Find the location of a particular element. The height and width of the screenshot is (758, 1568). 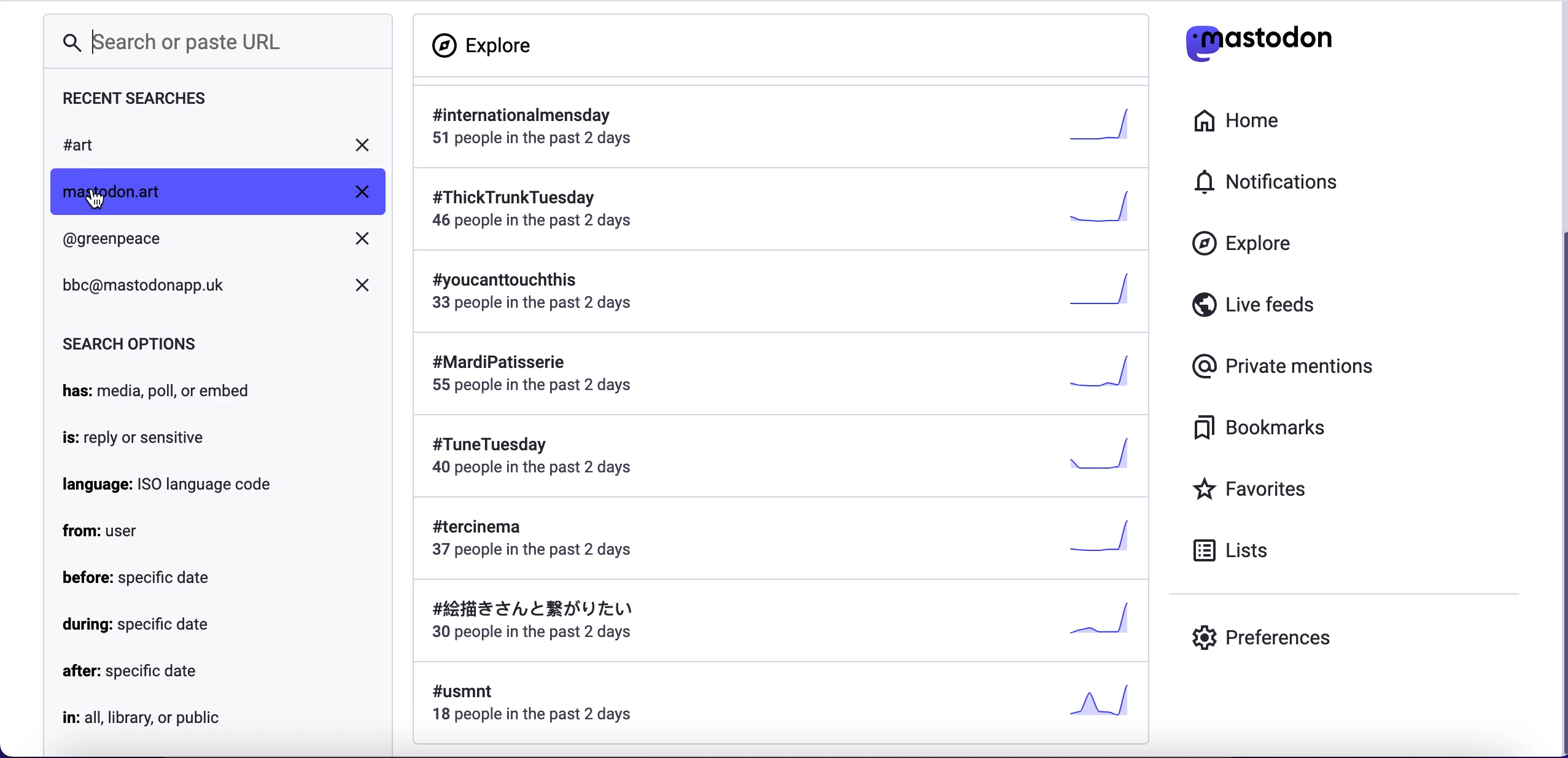

#TuneTuesday is located at coordinates (780, 457).